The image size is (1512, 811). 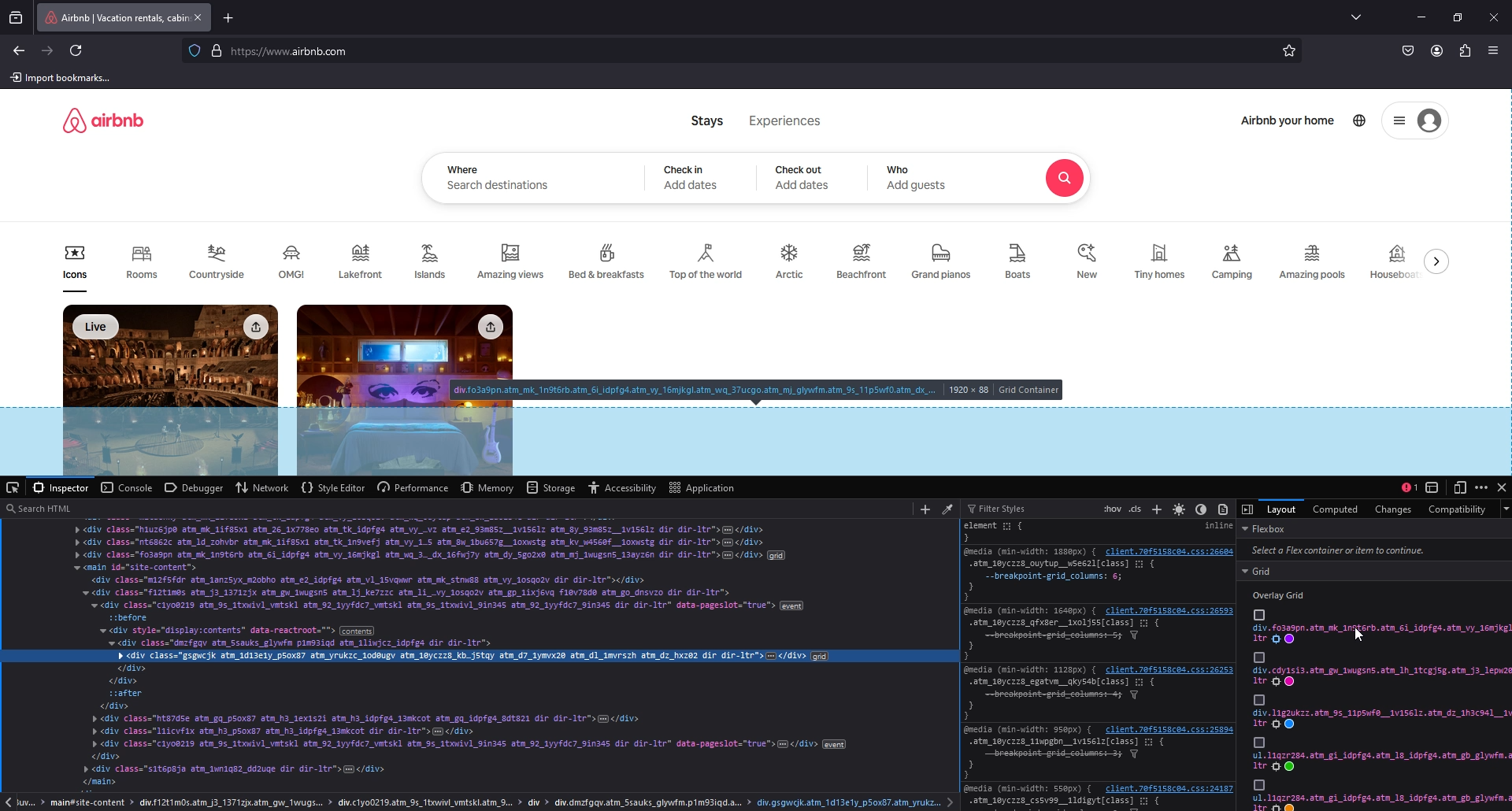 What do you see at coordinates (1004, 507) in the screenshot?
I see `filter styles` at bounding box center [1004, 507].